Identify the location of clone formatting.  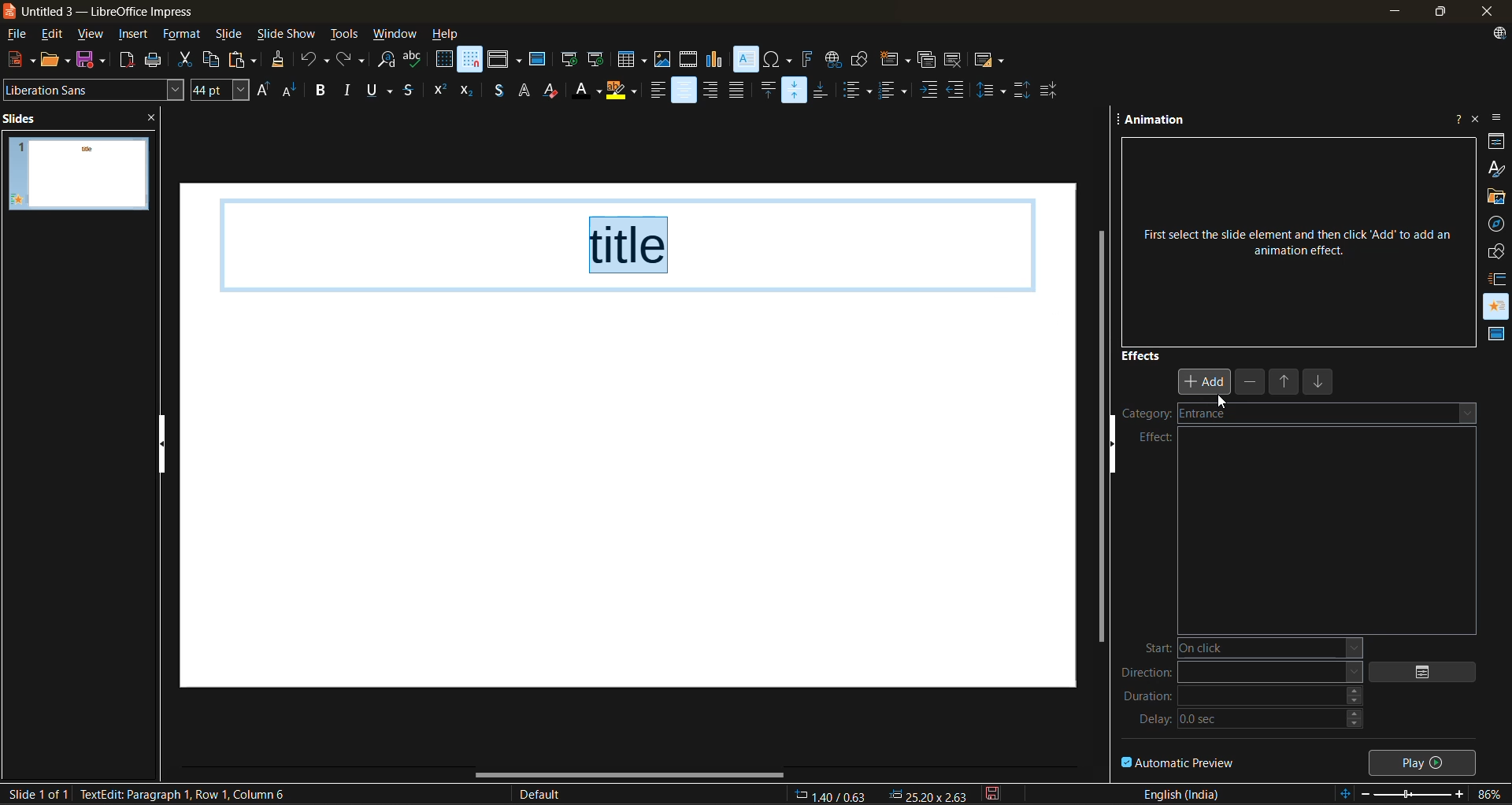
(280, 61).